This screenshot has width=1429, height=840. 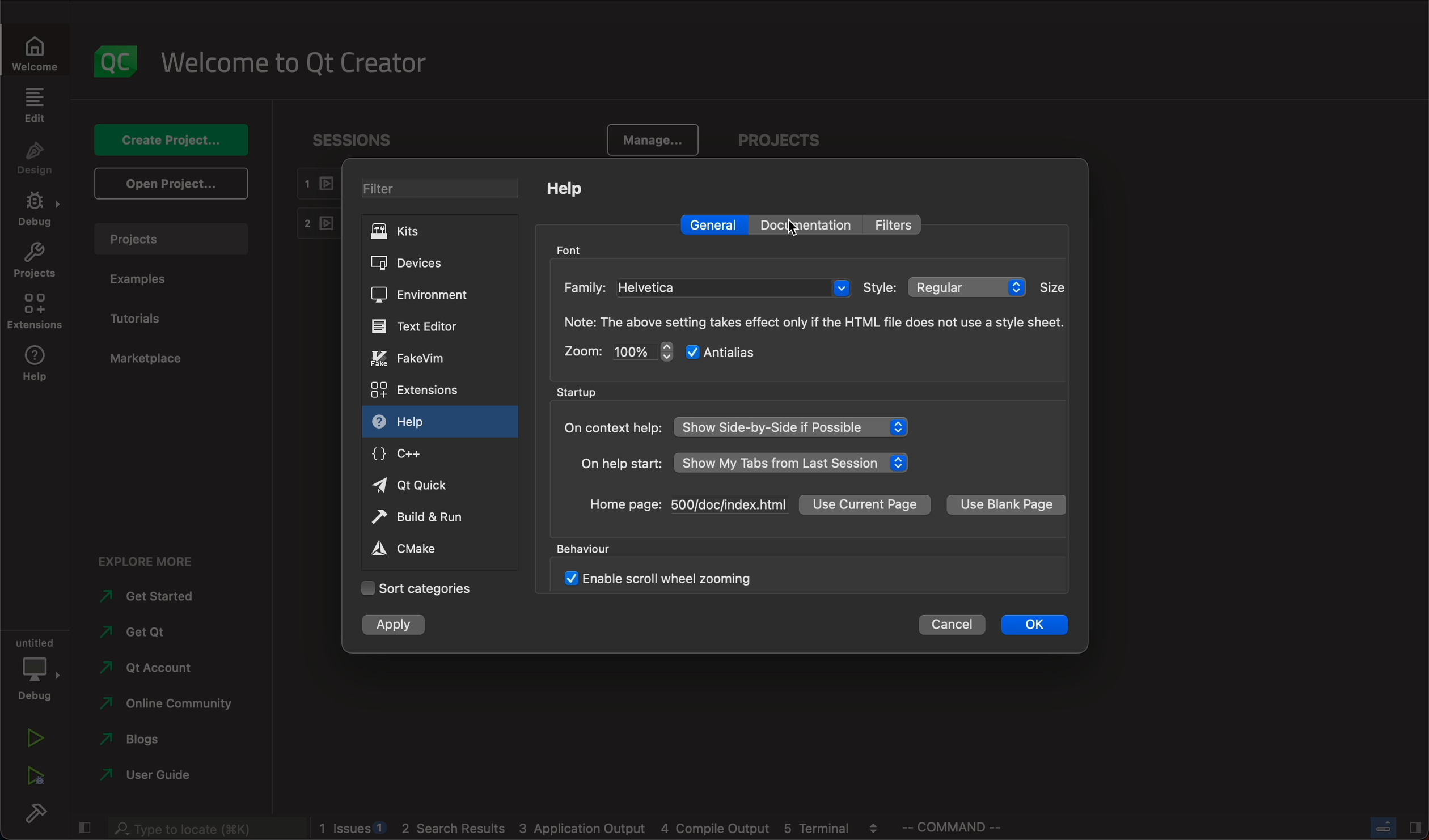 What do you see at coordinates (420, 590) in the screenshot?
I see `categories` at bounding box center [420, 590].